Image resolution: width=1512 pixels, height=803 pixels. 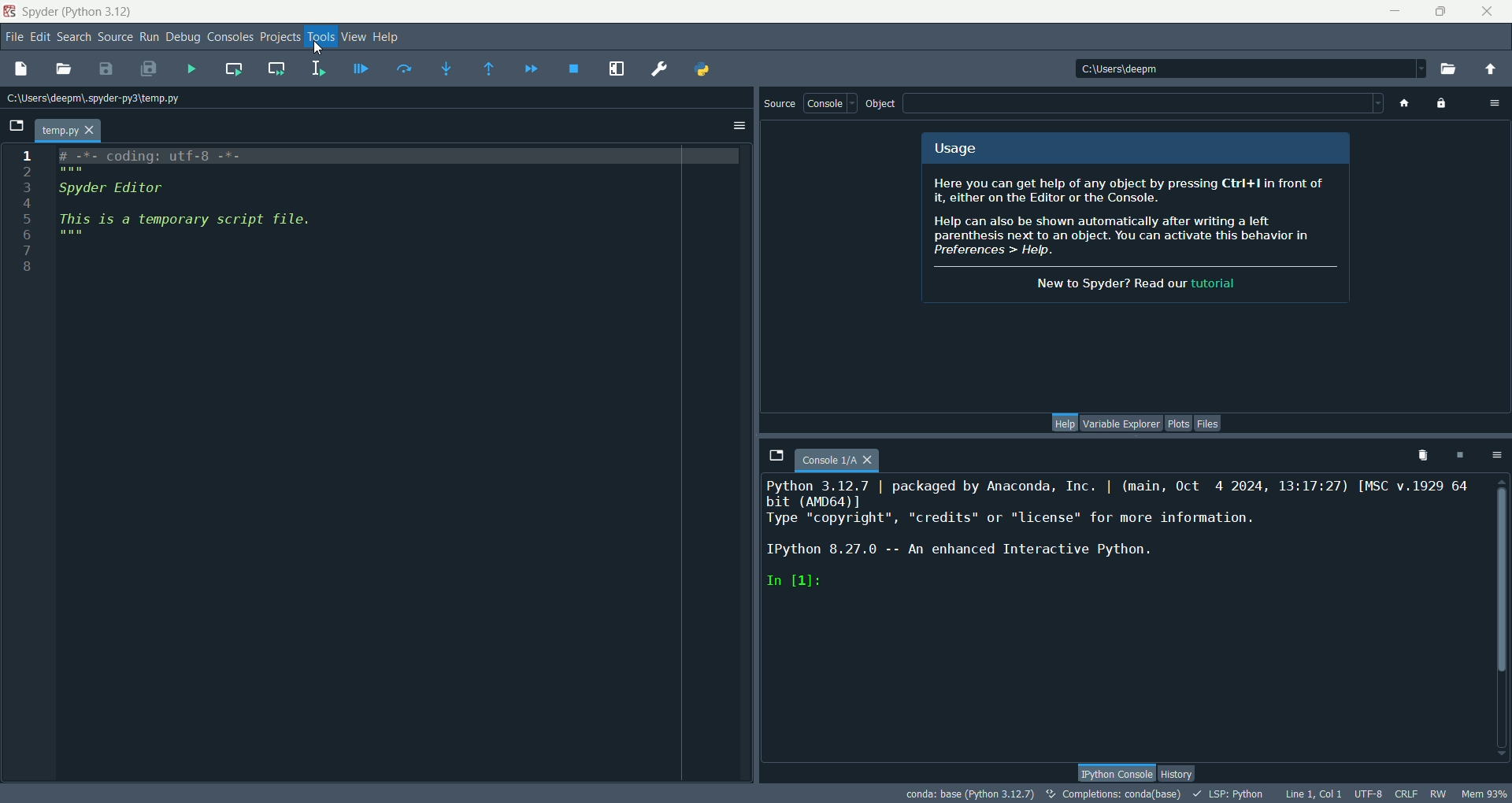 I want to click on open, so click(x=63, y=68).